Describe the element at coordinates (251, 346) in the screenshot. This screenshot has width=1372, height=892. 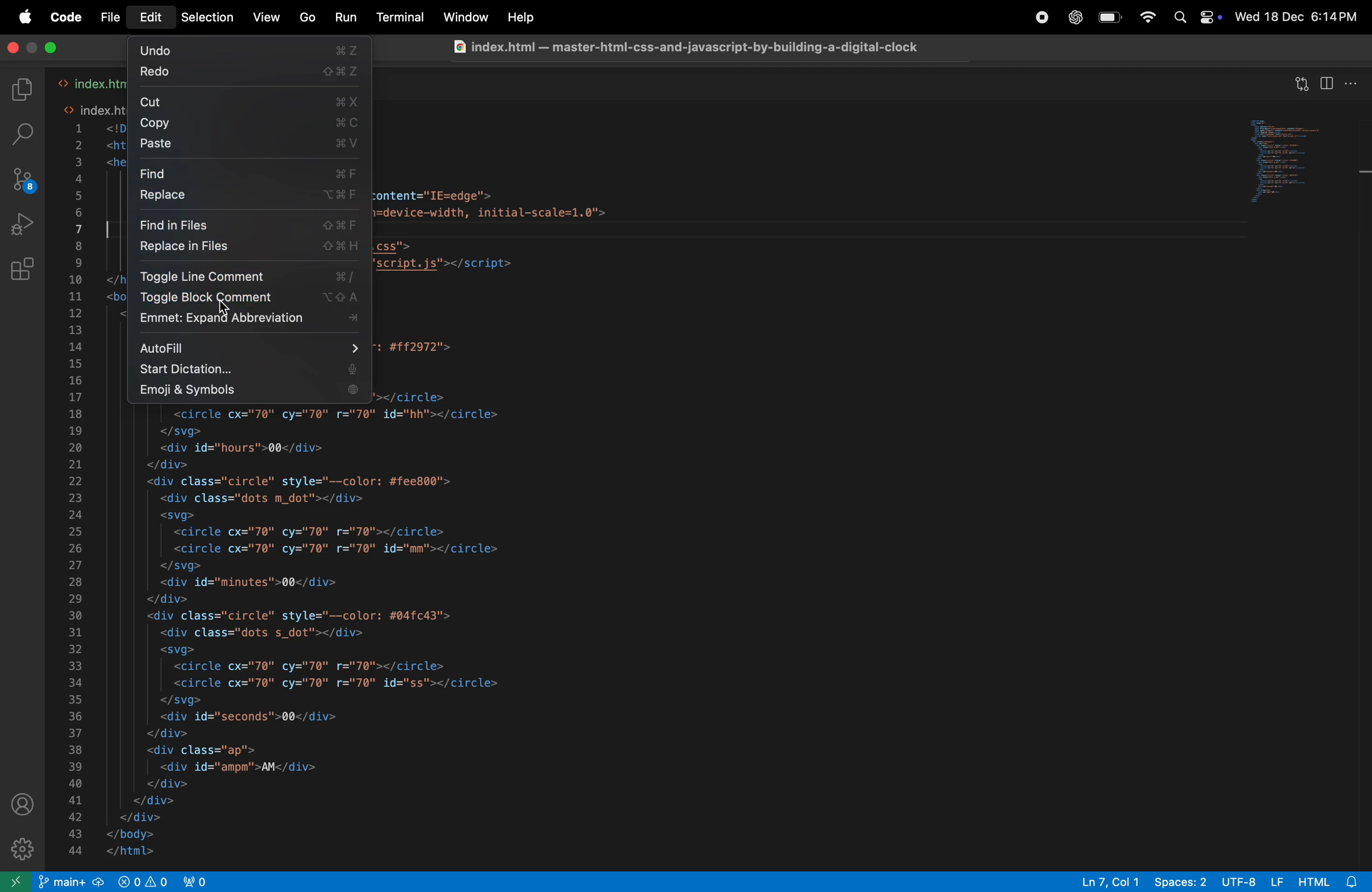
I see `auto fill` at that location.